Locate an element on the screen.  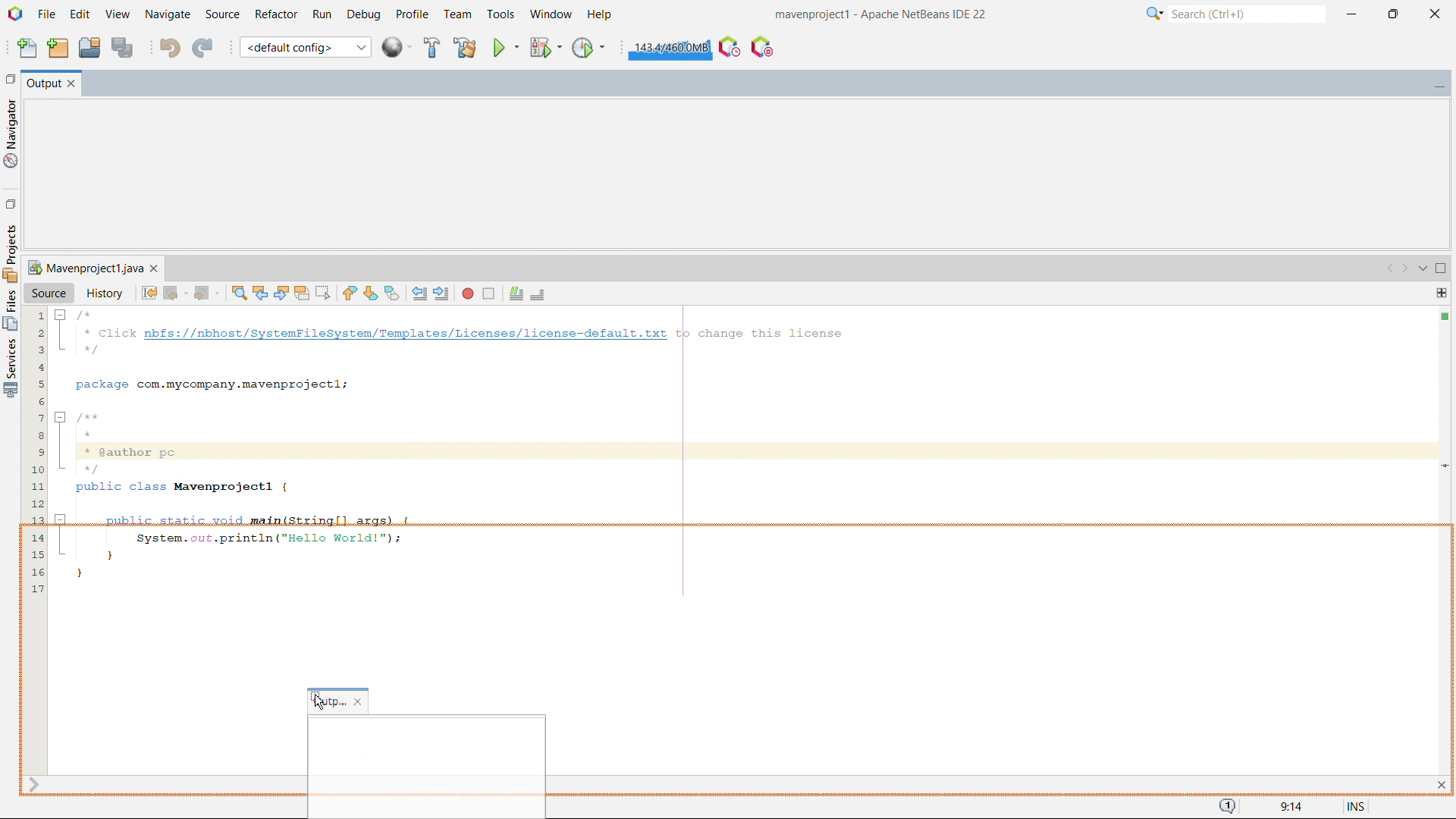
source is located at coordinates (223, 15).